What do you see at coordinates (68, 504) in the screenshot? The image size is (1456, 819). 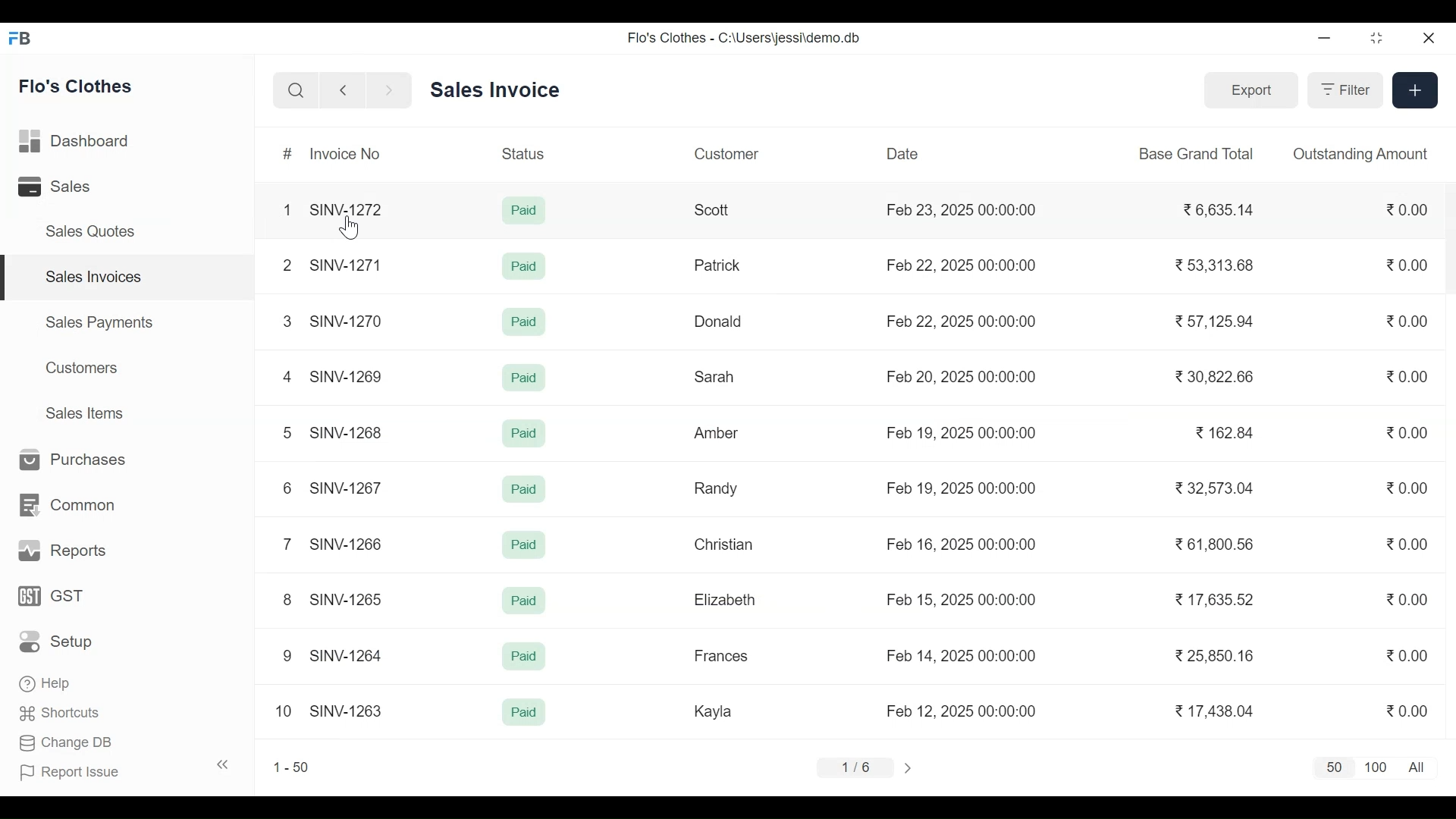 I see `Common` at bounding box center [68, 504].